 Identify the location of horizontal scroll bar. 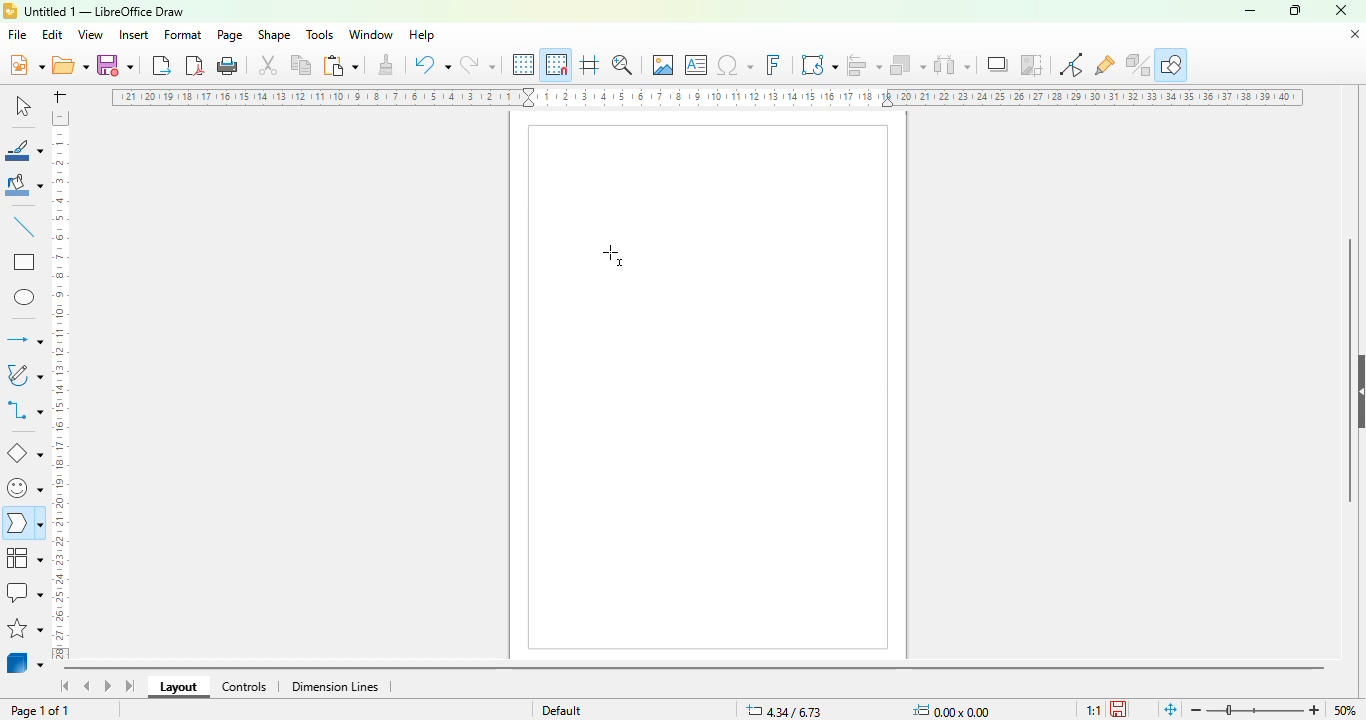
(695, 670).